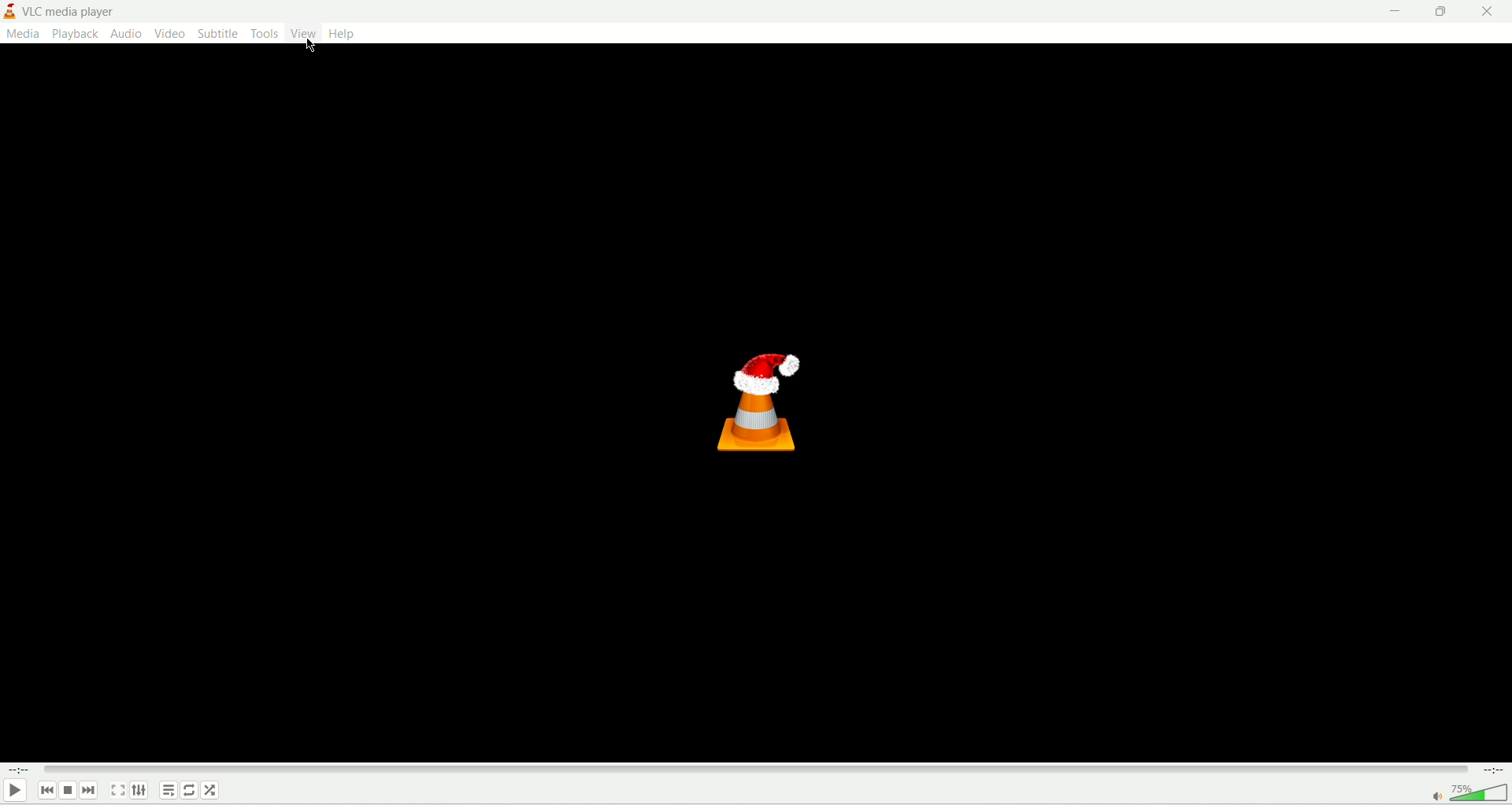  What do you see at coordinates (265, 35) in the screenshot?
I see `tools` at bounding box center [265, 35].